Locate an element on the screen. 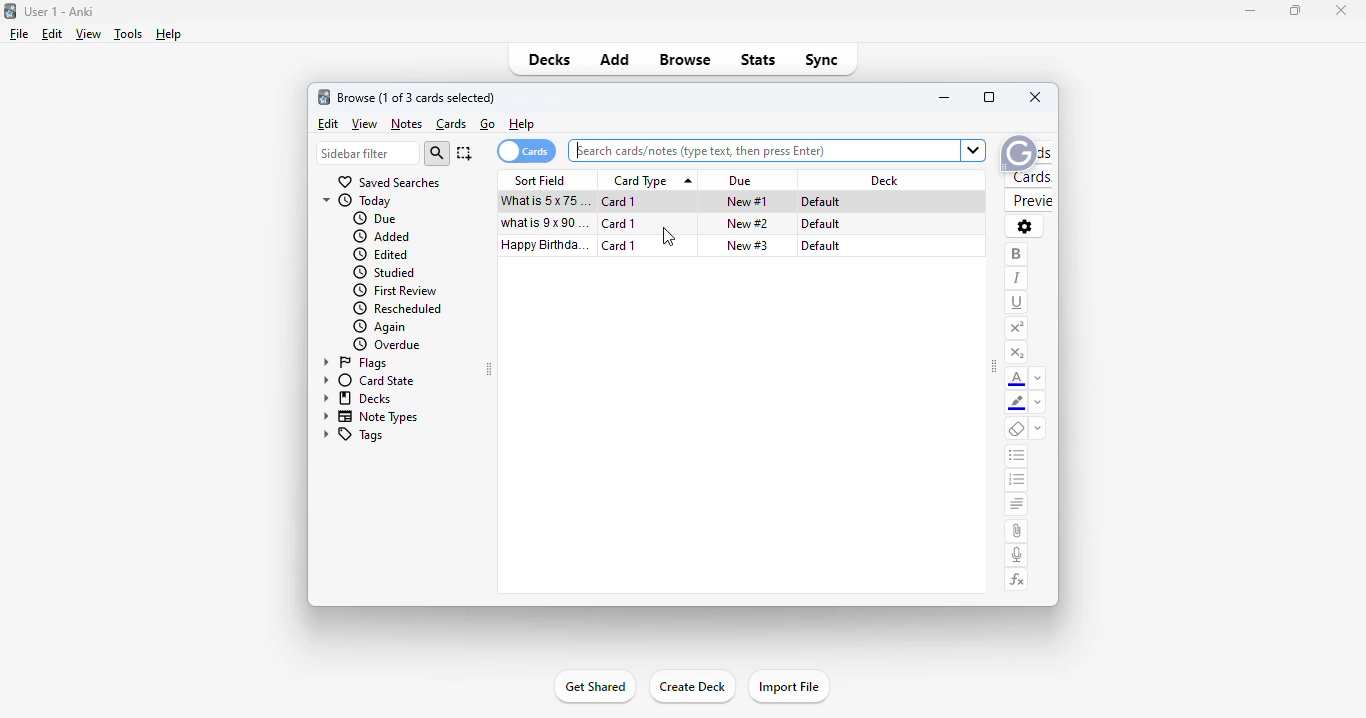 The width and height of the screenshot is (1366, 718). due is located at coordinates (375, 218).